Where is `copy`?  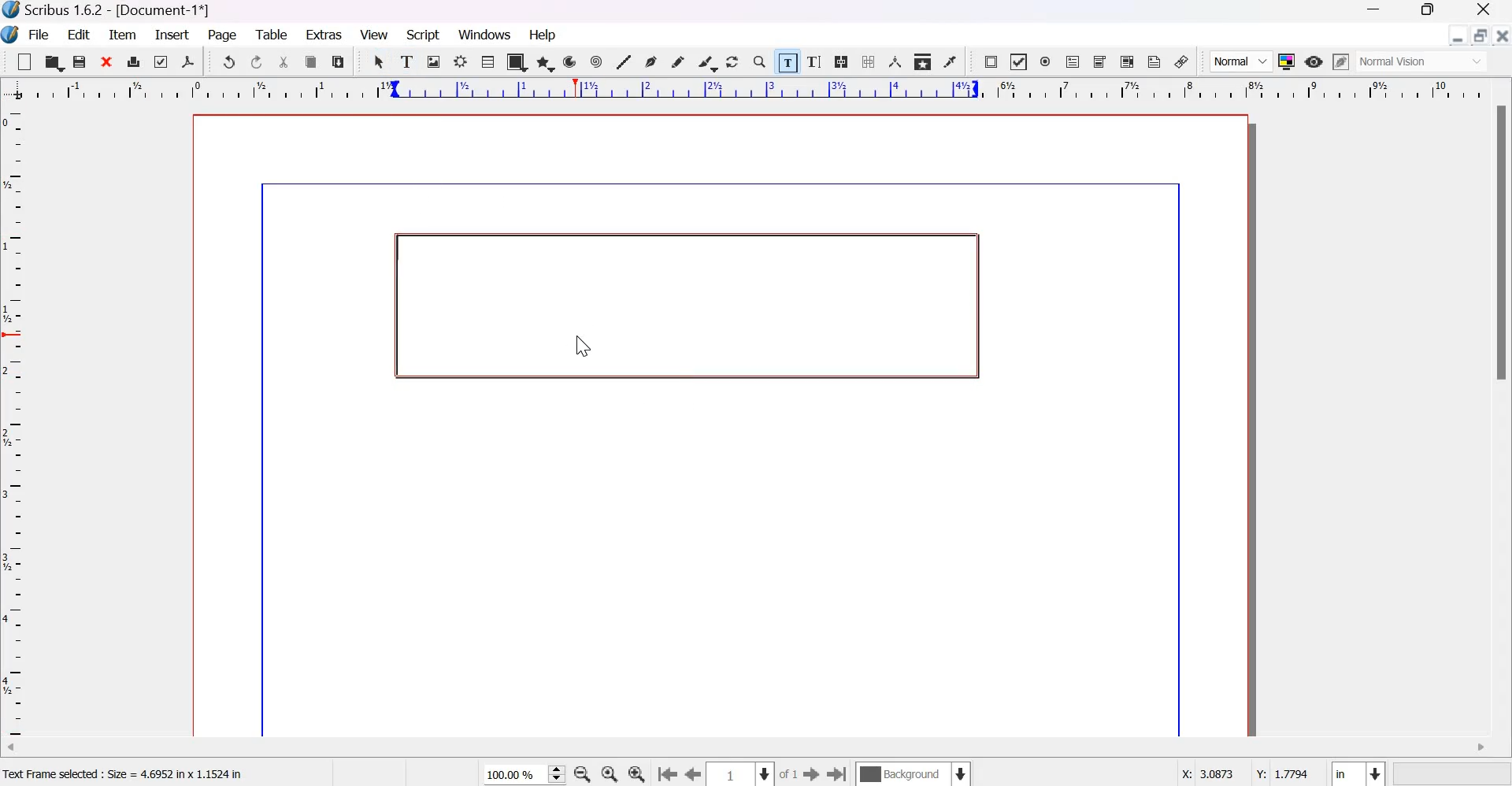
copy is located at coordinates (312, 62).